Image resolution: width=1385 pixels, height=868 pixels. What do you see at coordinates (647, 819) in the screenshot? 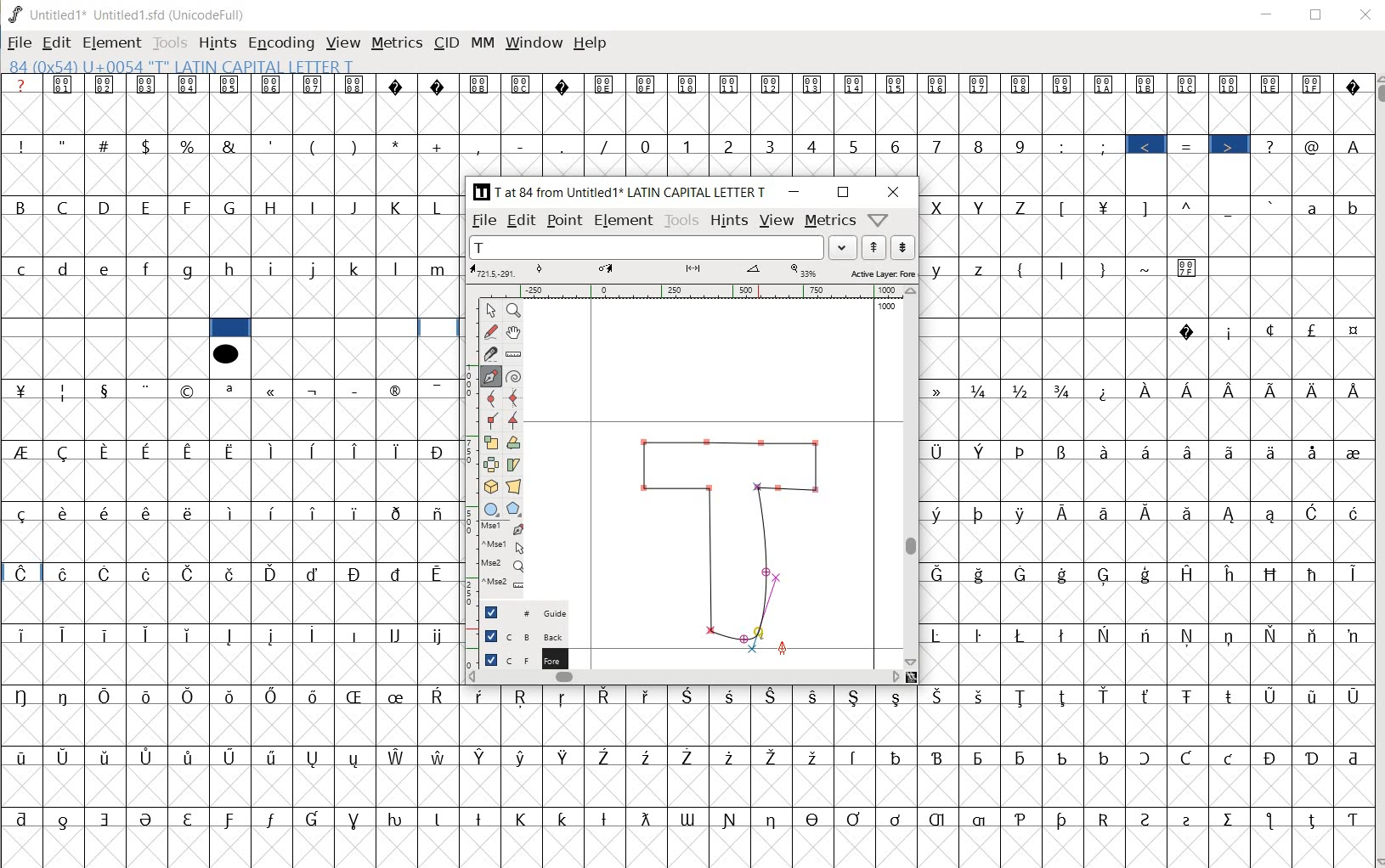
I see `Symbol` at bounding box center [647, 819].